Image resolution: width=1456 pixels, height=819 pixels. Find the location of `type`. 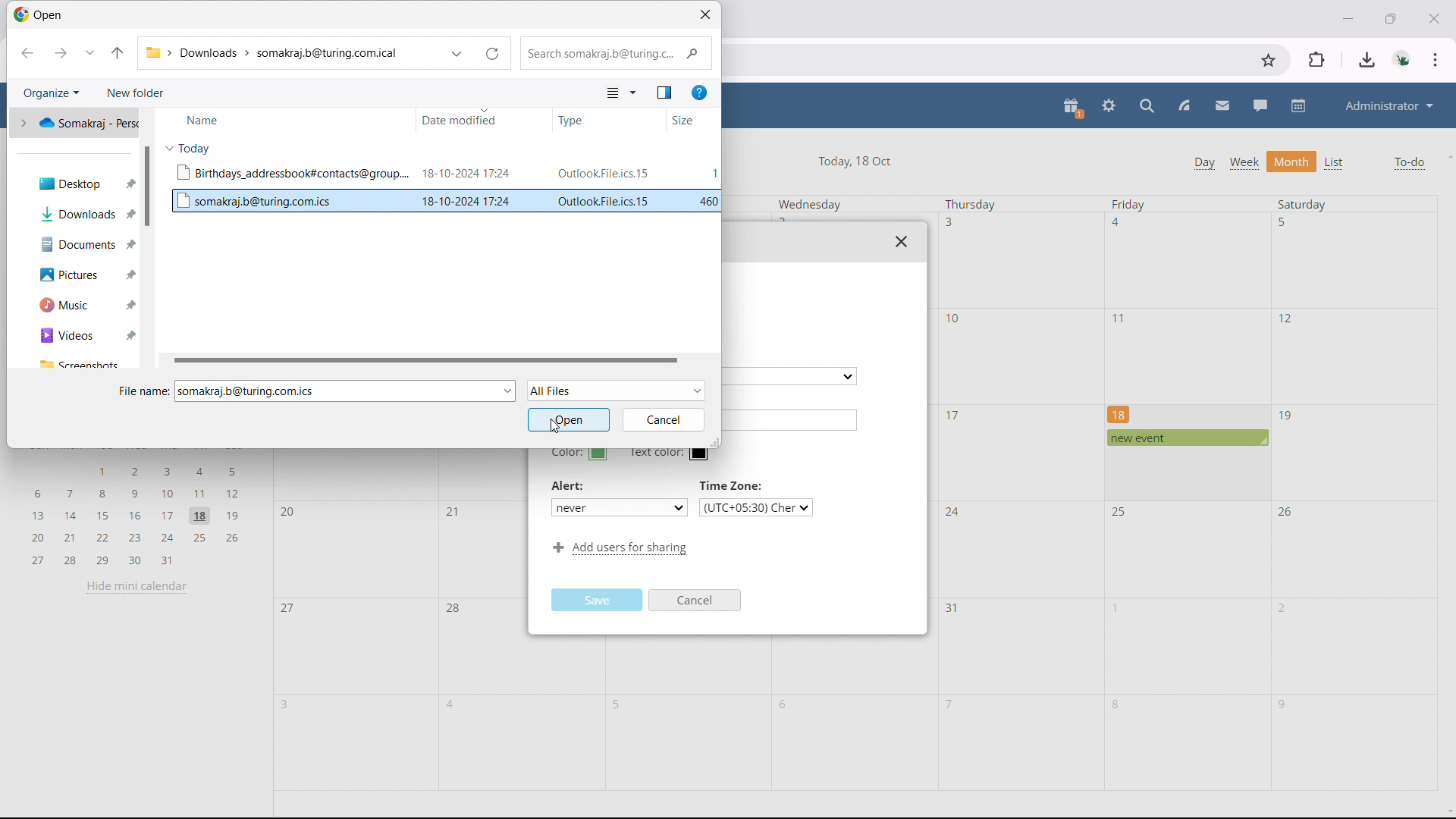

type is located at coordinates (609, 119).